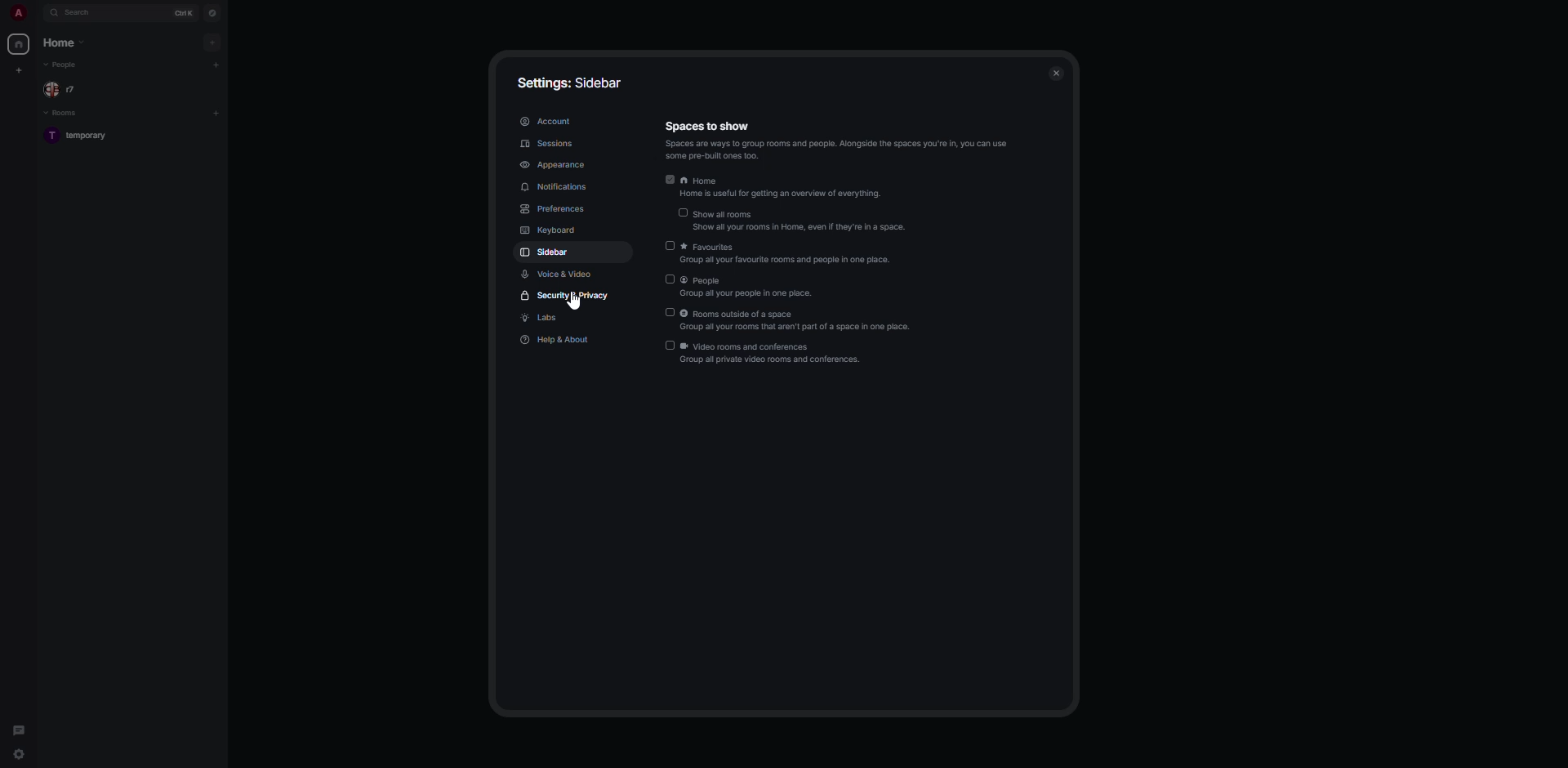 This screenshot has width=1568, height=768. What do you see at coordinates (573, 81) in the screenshot?
I see `settings: sidebar` at bounding box center [573, 81].